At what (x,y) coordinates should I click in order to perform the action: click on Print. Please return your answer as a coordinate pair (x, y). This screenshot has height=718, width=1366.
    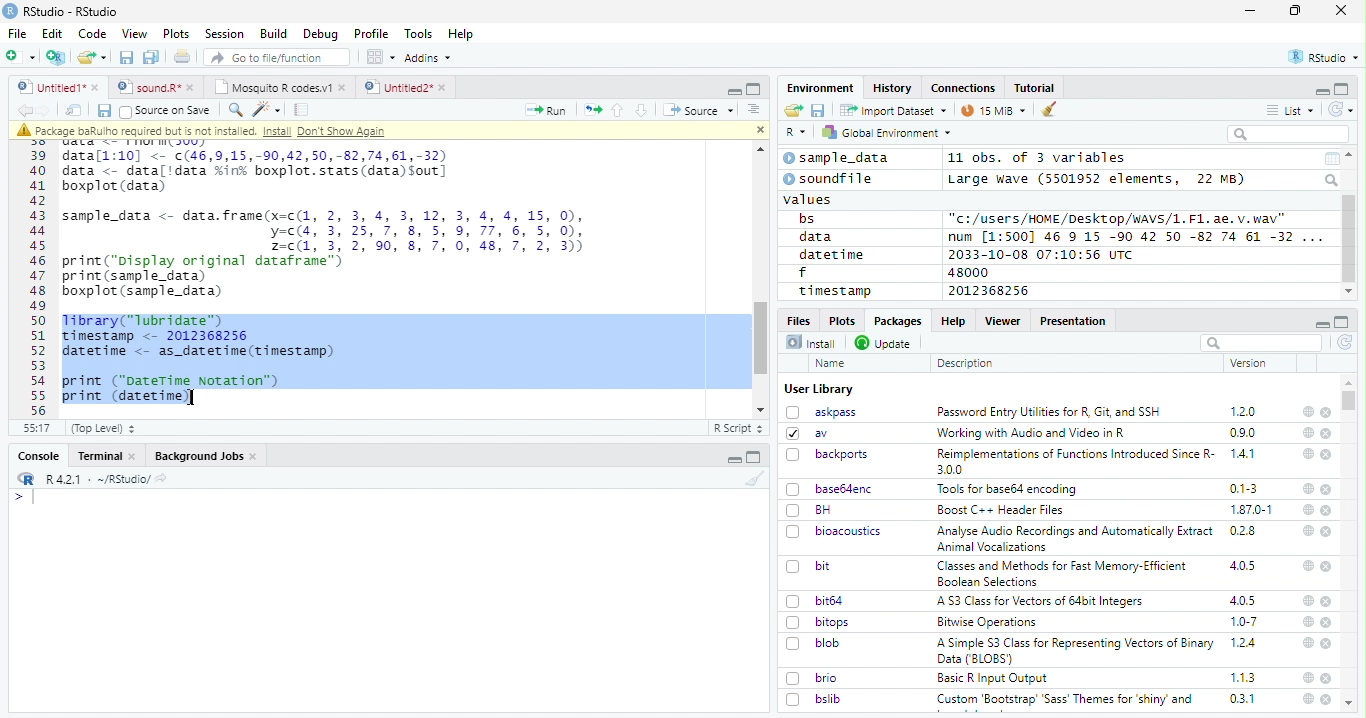
    Looking at the image, I should click on (183, 56).